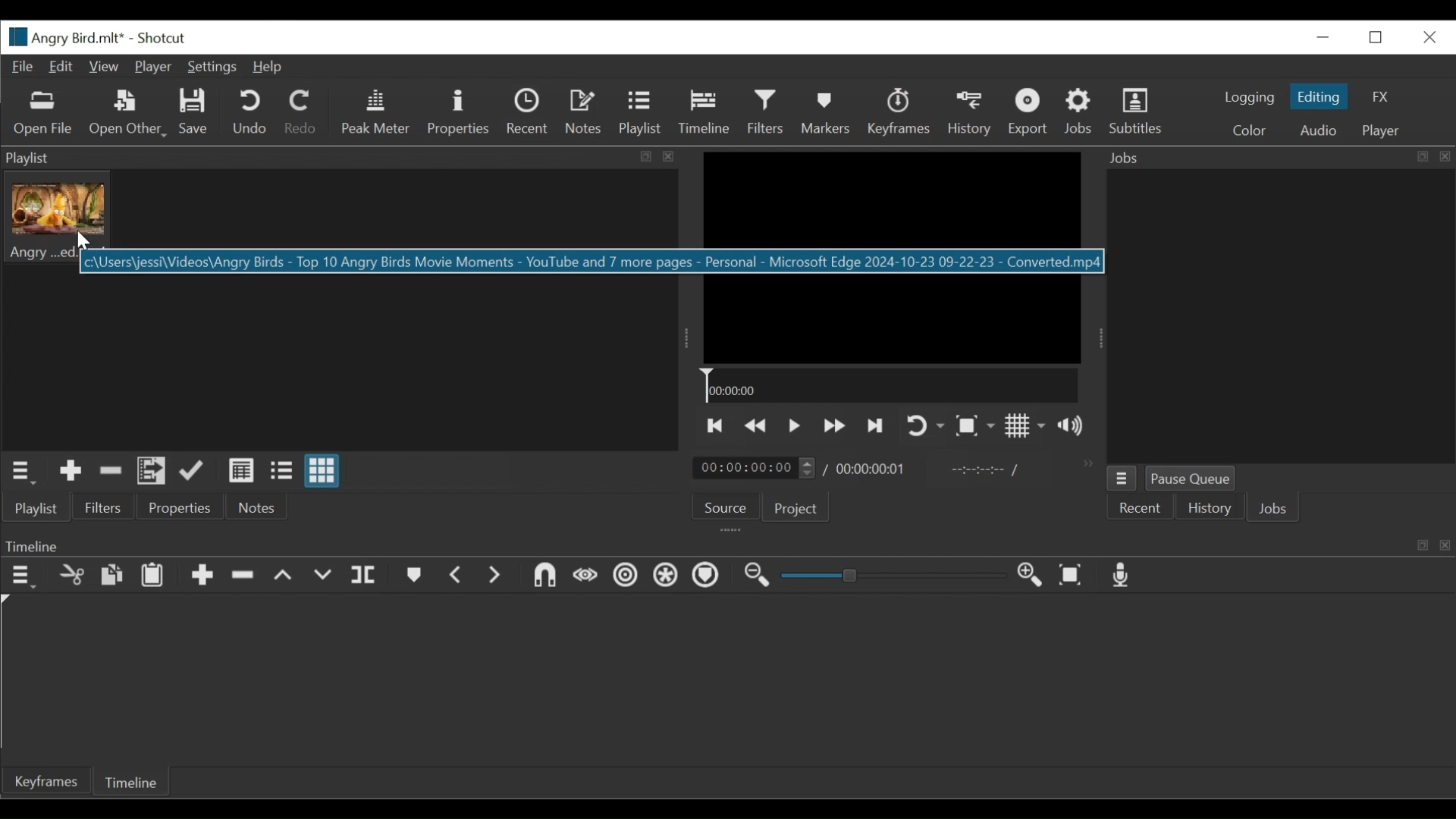 The width and height of the screenshot is (1456, 819). Describe the element at coordinates (1278, 158) in the screenshot. I see `Jobs Panel` at that location.